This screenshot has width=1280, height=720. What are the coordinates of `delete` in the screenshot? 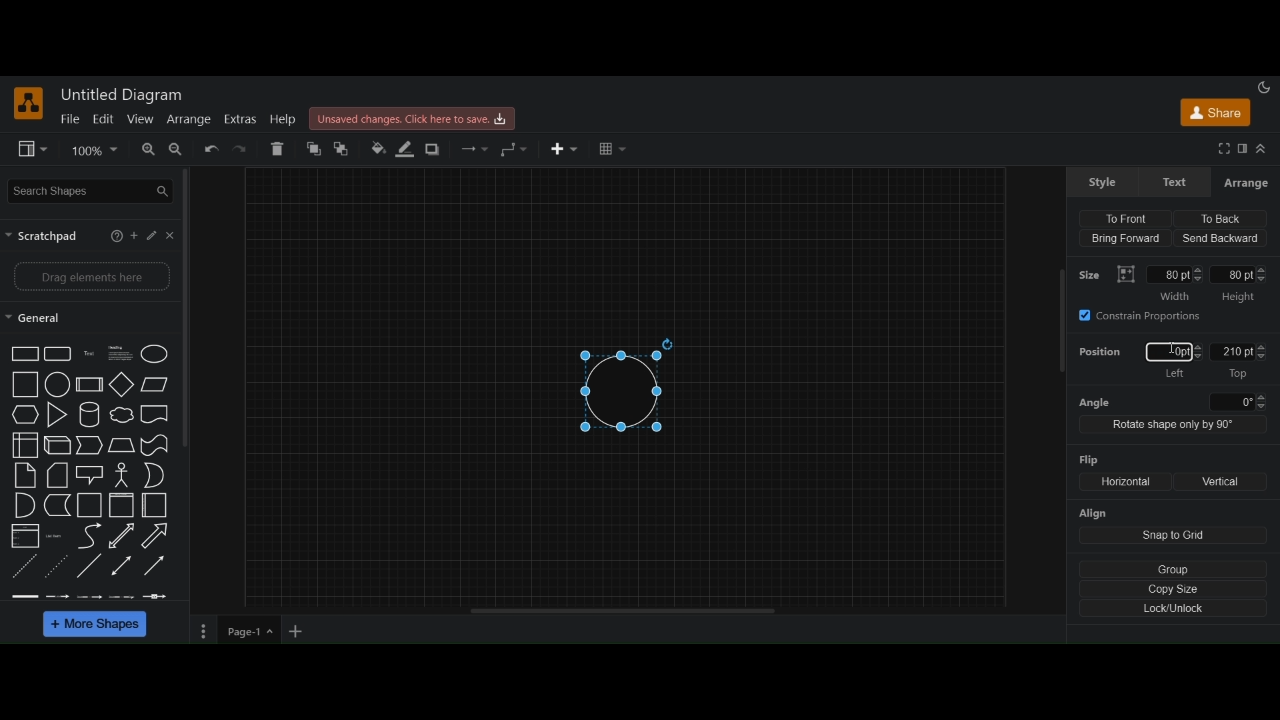 It's located at (279, 148).